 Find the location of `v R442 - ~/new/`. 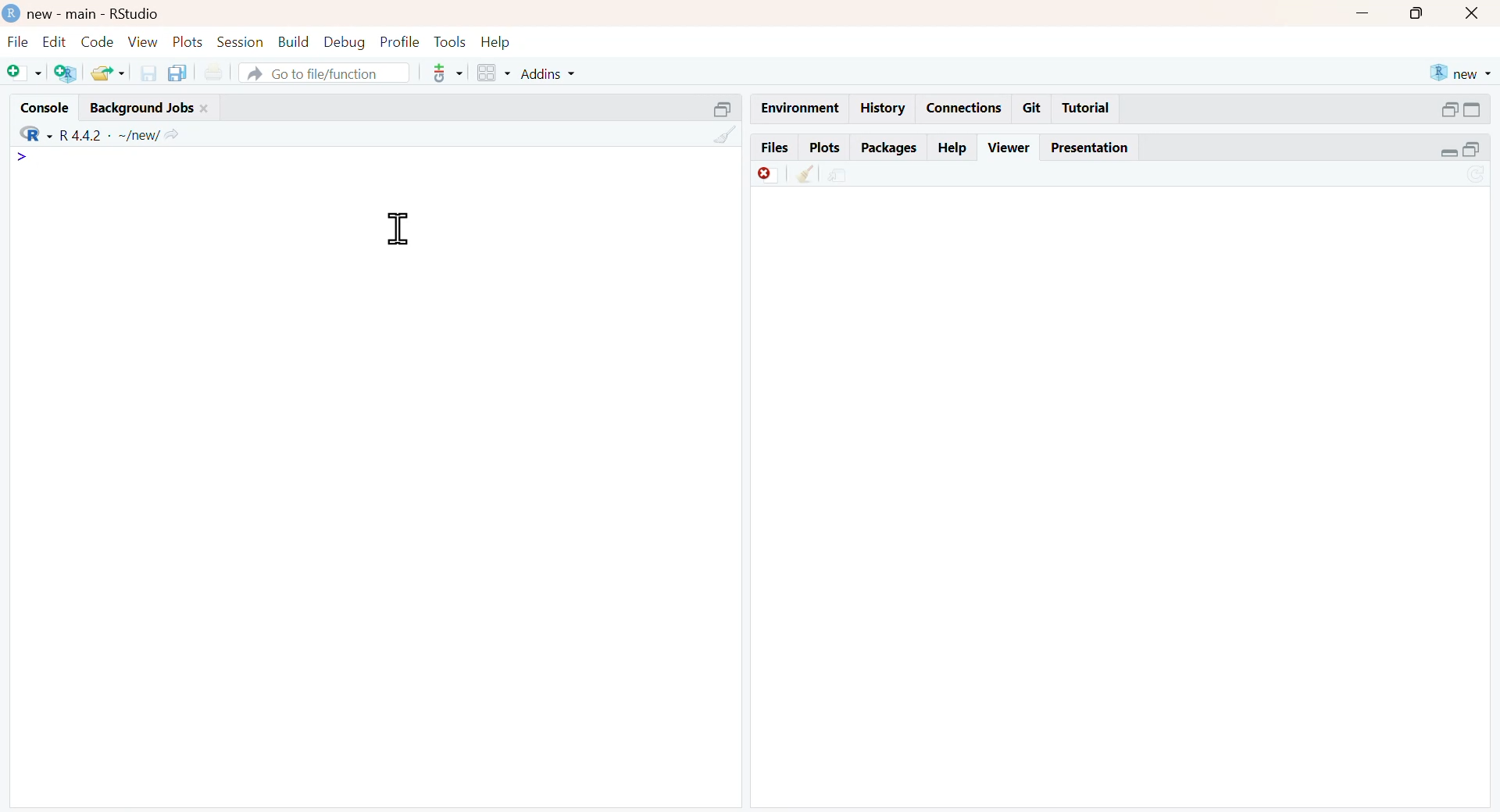

v R442 - ~/new/ is located at coordinates (129, 134).